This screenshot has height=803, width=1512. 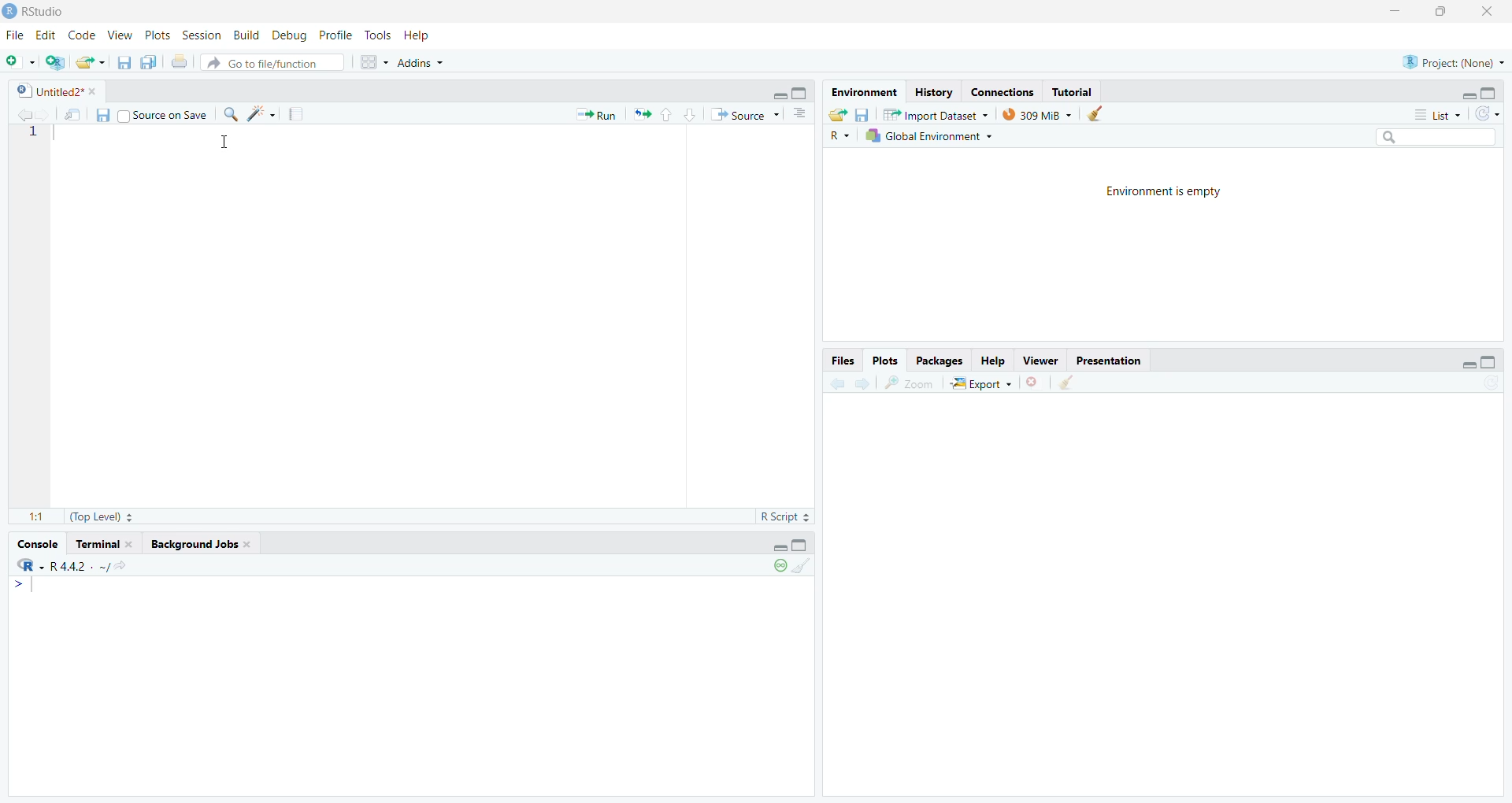 What do you see at coordinates (52, 62) in the screenshot?
I see `add script` at bounding box center [52, 62].